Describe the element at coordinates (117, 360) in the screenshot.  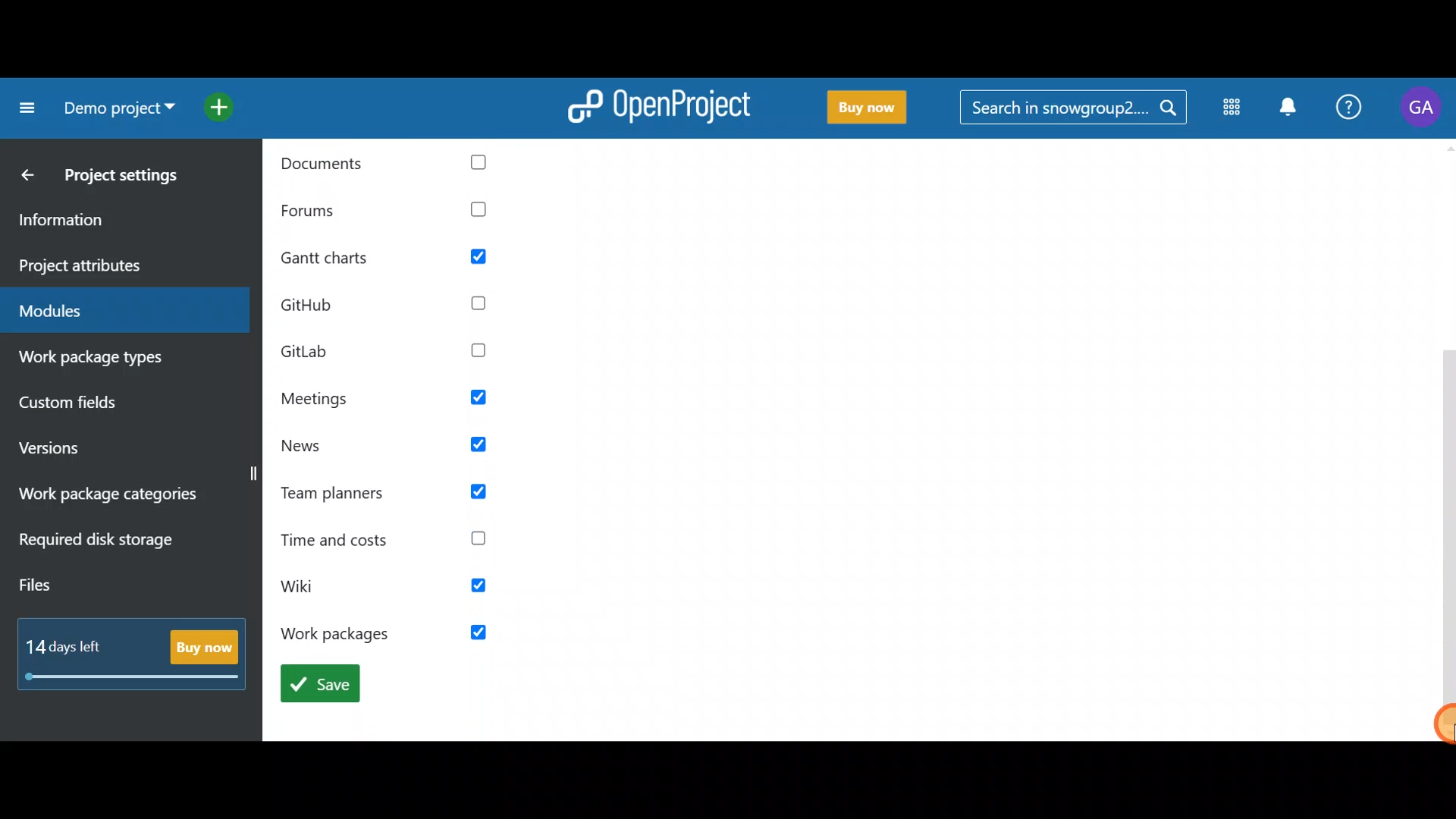
I see `Work package types` at that location.